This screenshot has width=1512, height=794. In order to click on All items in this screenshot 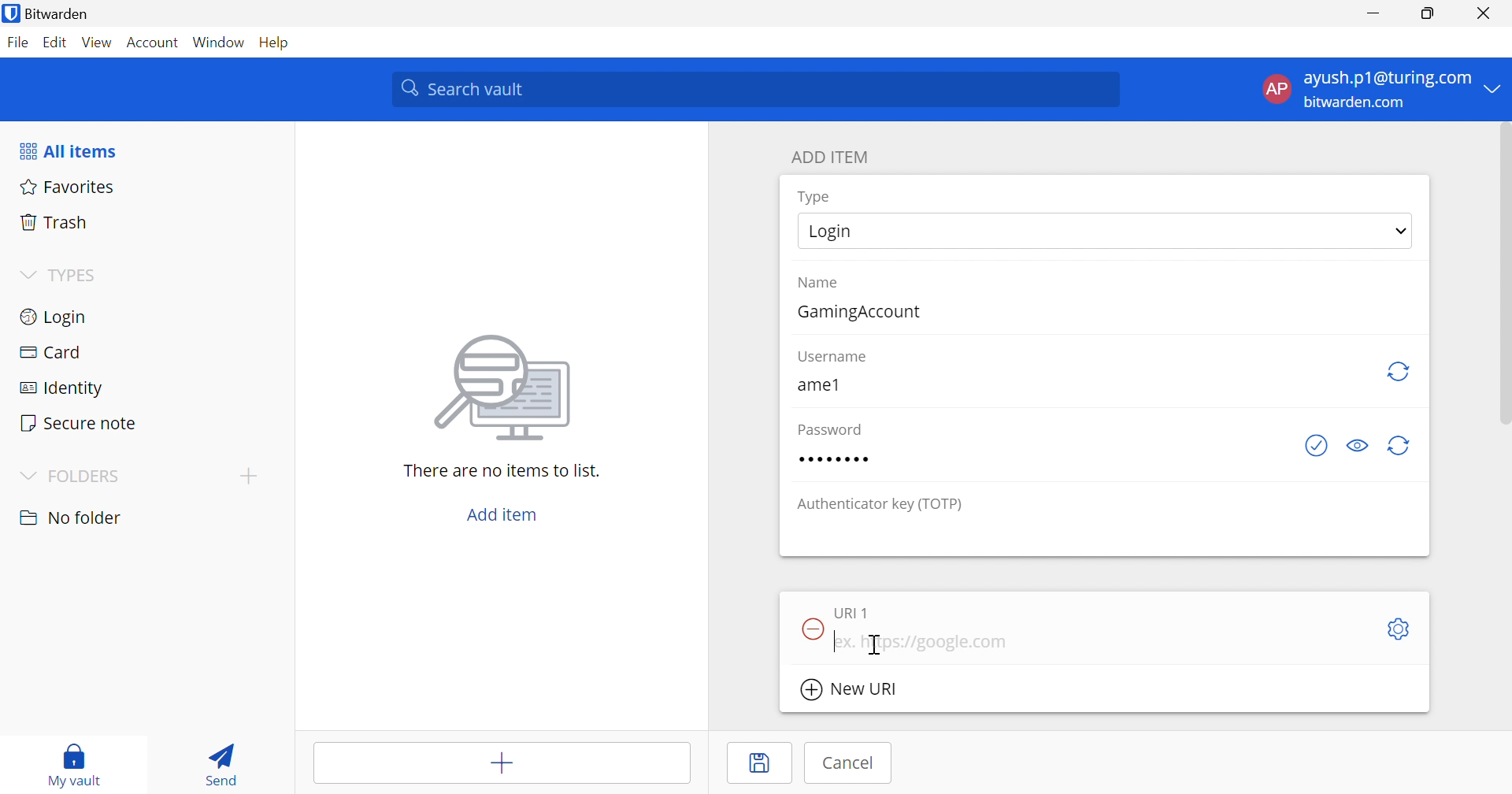, I will do `click(67, 151)`.